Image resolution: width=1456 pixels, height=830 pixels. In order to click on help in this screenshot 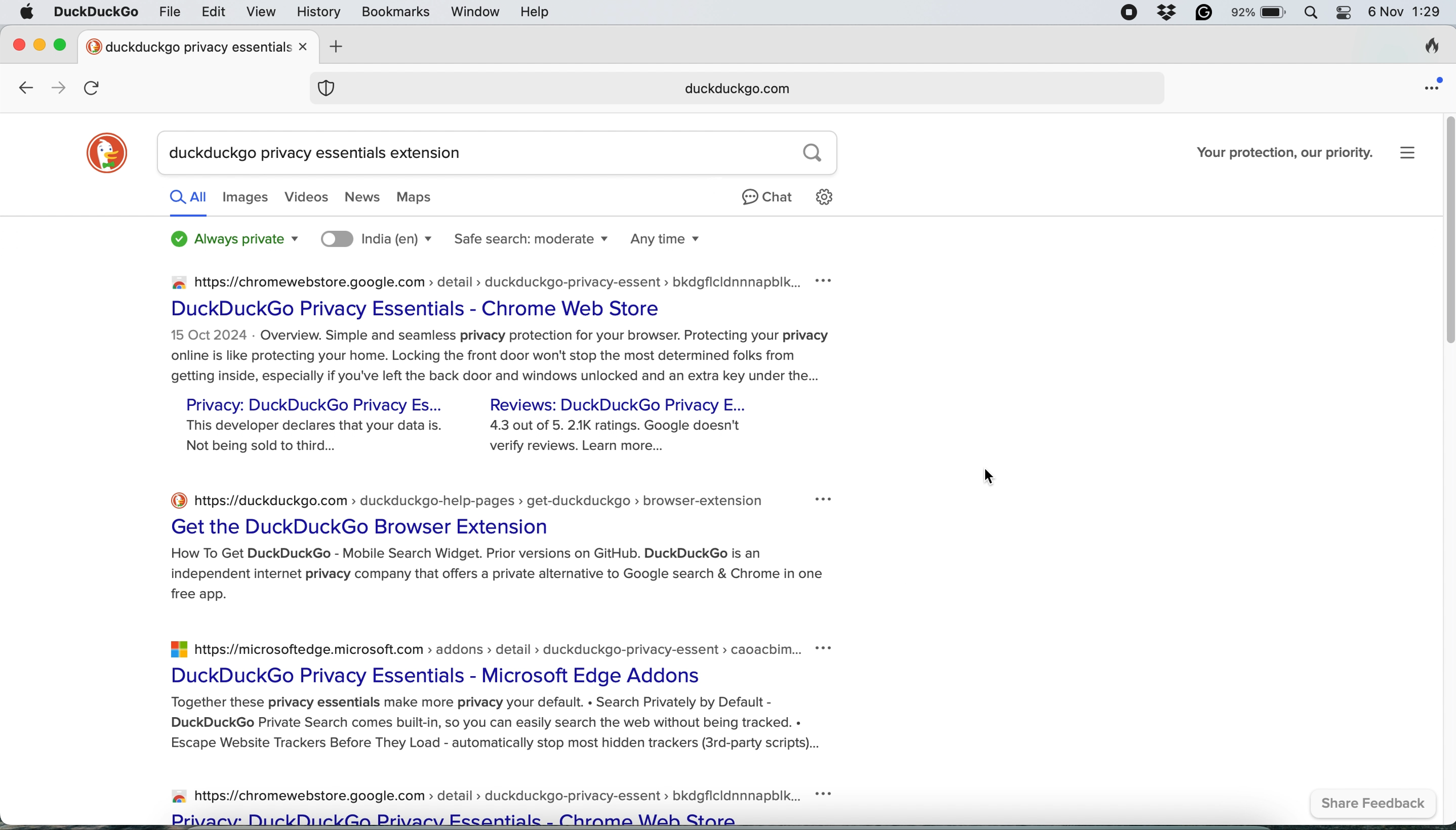, I will do `click(537, 12)`.